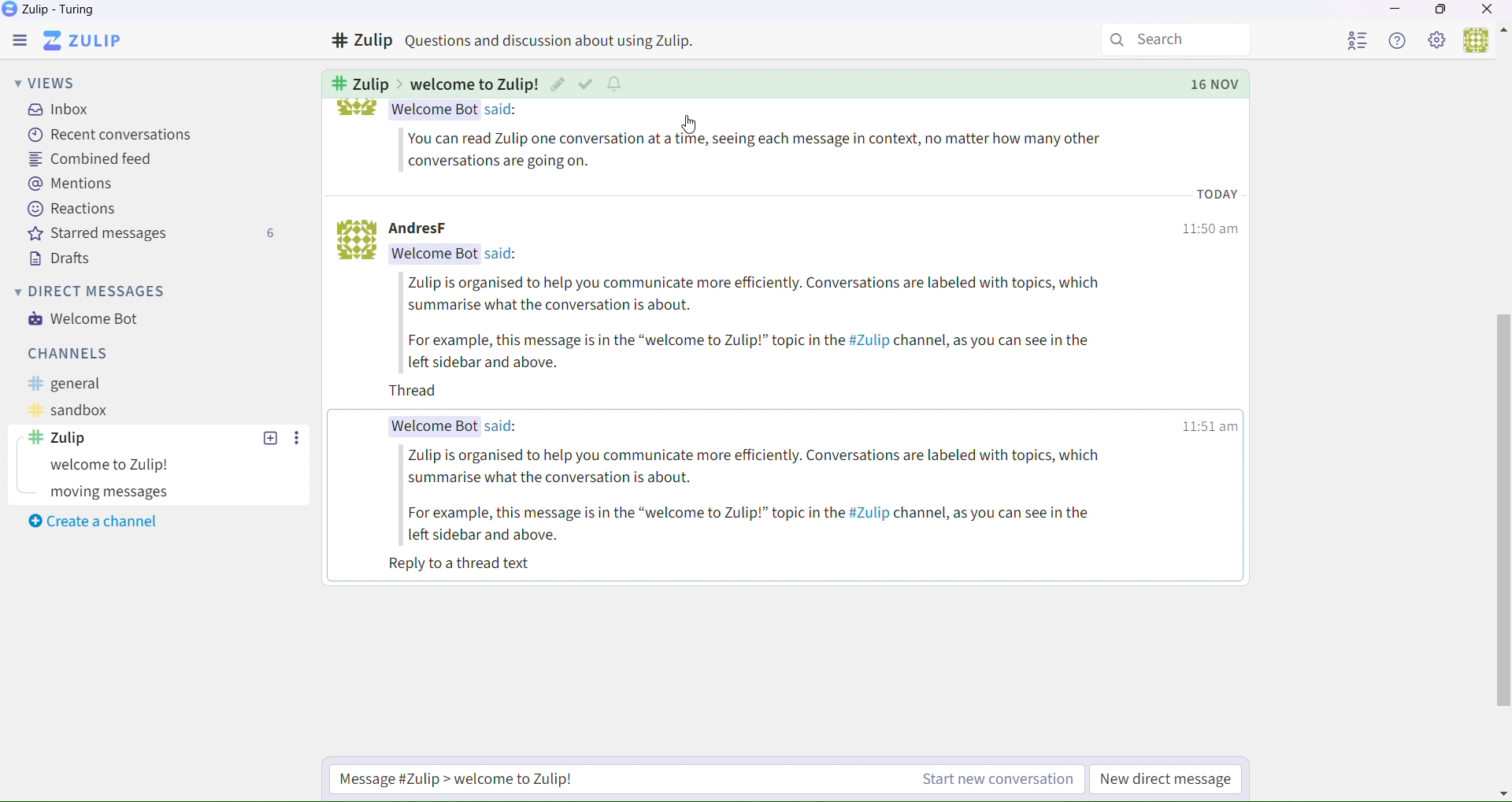  Describe the element at coordinates (433, 84) in the screenshot. I see `` at that location.